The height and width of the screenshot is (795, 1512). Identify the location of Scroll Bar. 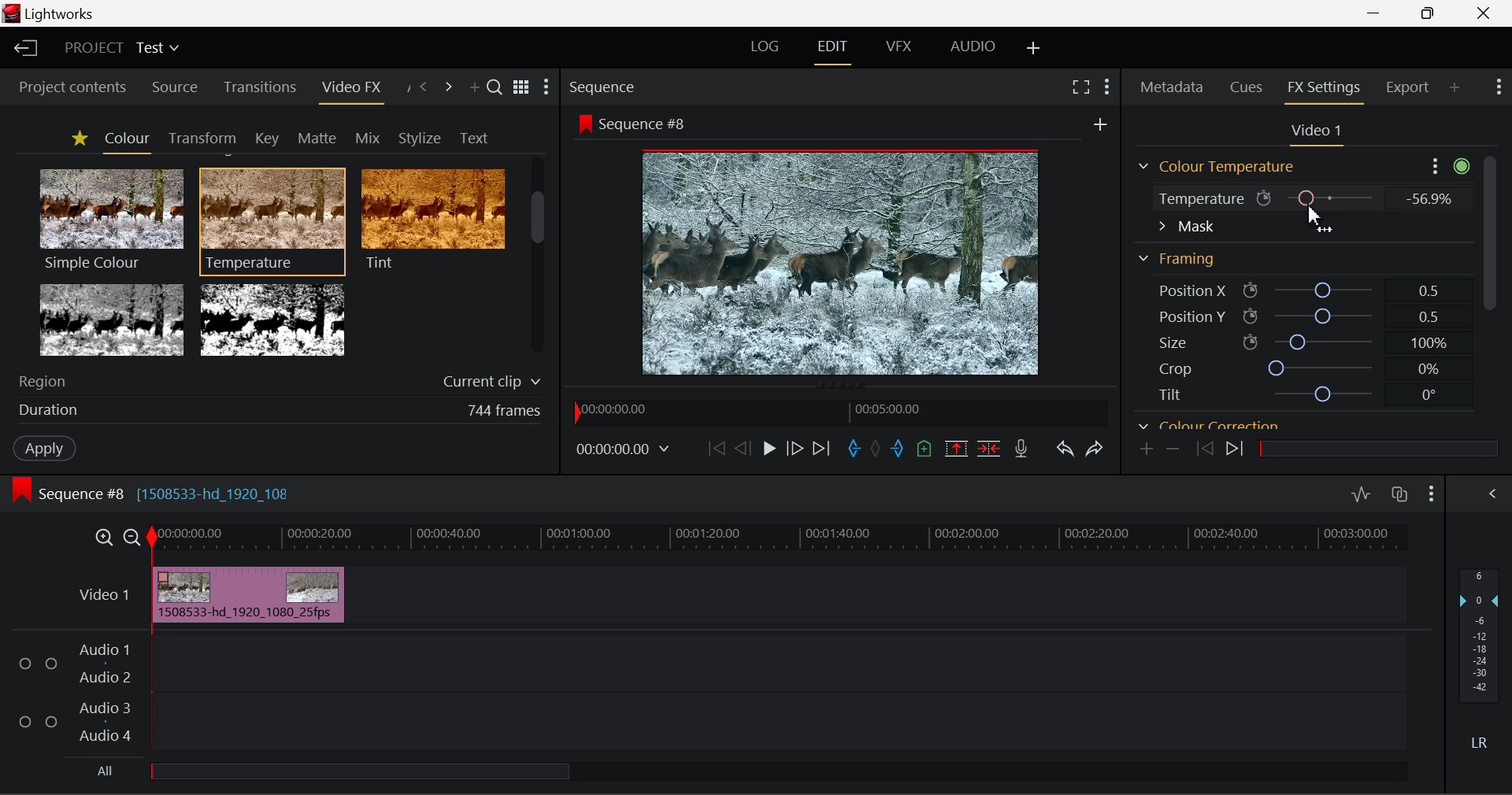
(1492, 275).